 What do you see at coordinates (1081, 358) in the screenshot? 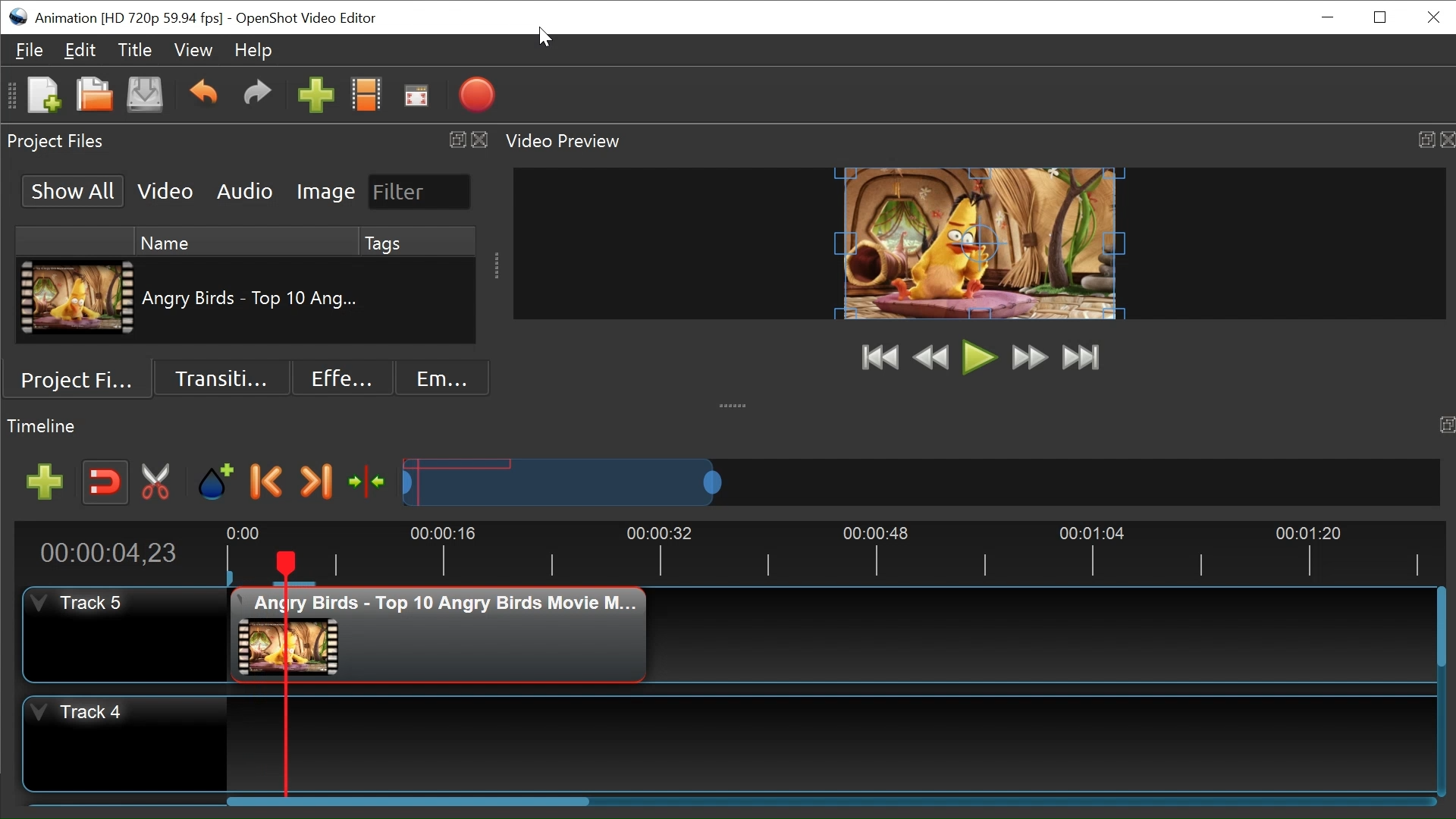
I see `Jump to Last` at bounding box center [1081, 358].